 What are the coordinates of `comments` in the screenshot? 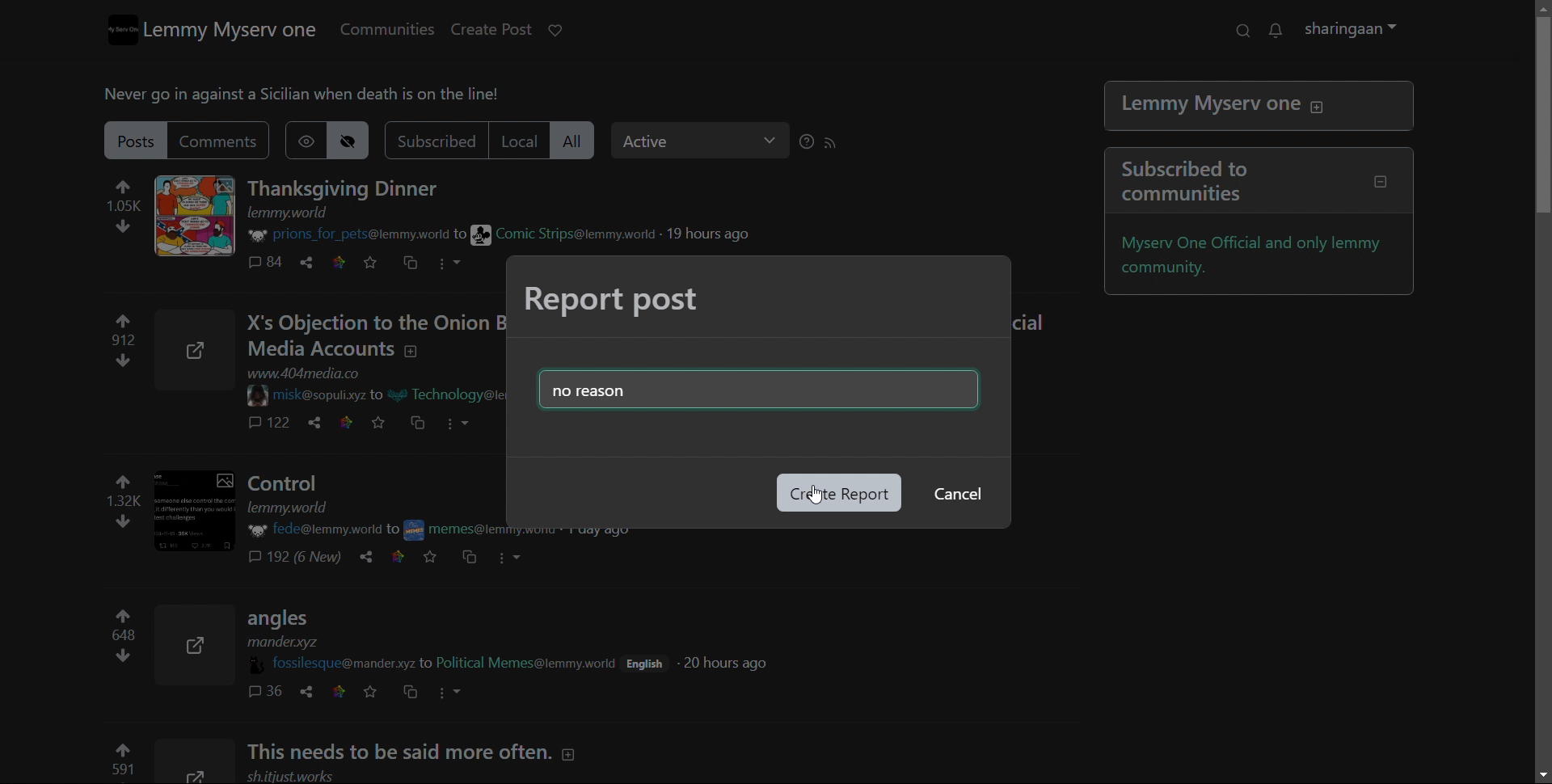 It's located at (272, 692).